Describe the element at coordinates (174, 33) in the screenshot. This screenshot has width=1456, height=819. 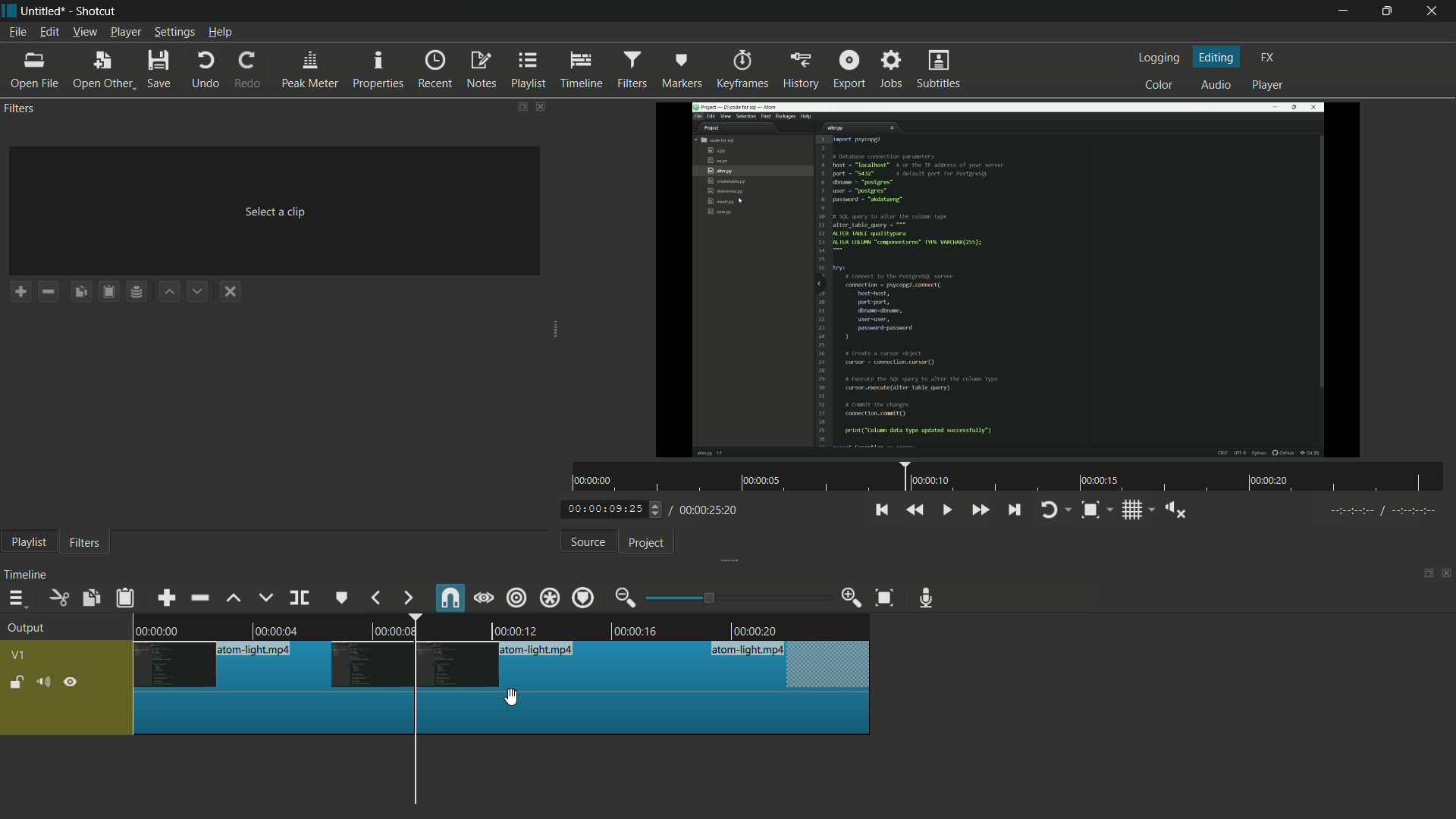
I see `settings menu` at that location.